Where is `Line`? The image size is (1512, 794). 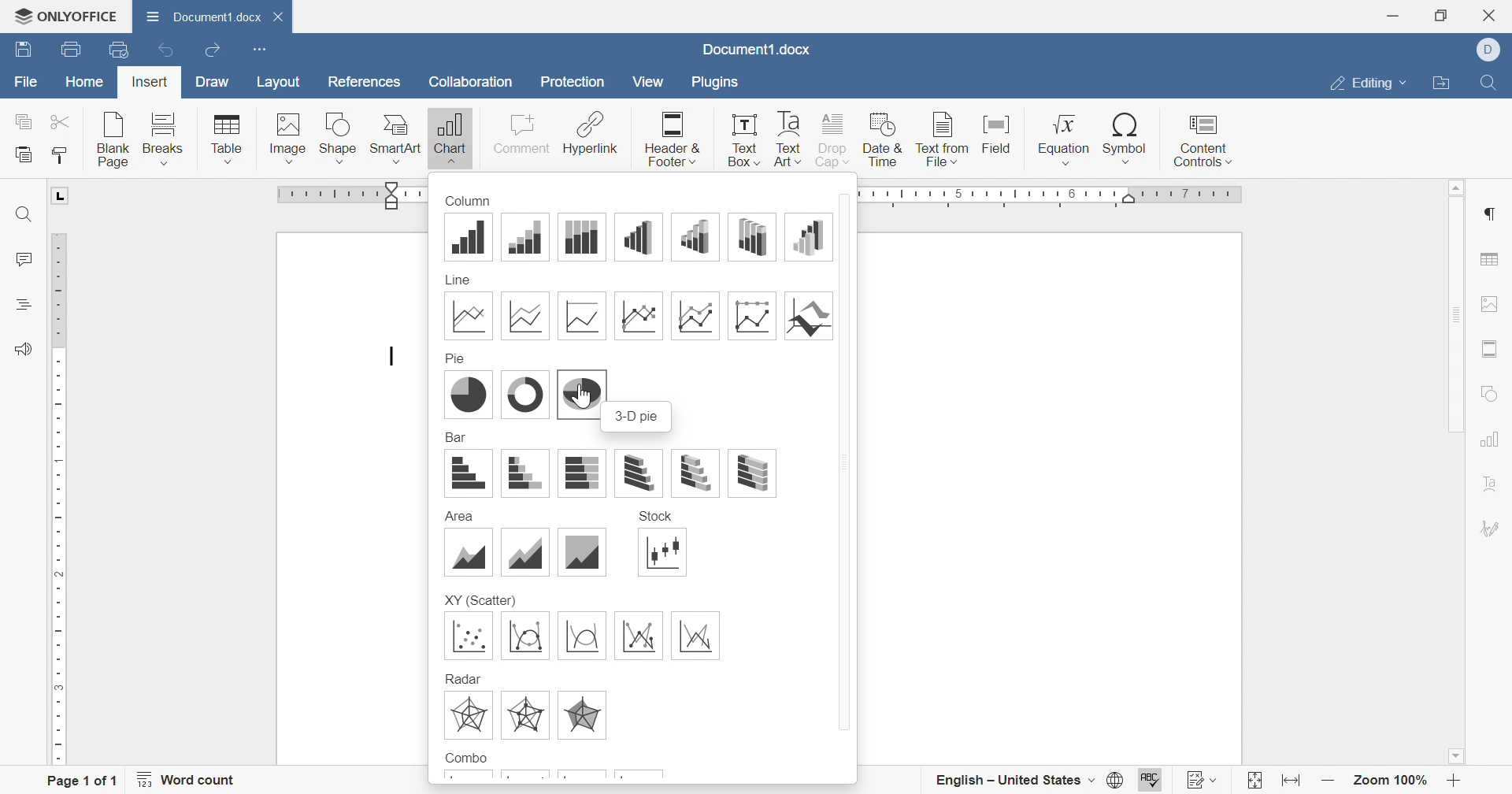 Line is located at coordinates (461, 279).